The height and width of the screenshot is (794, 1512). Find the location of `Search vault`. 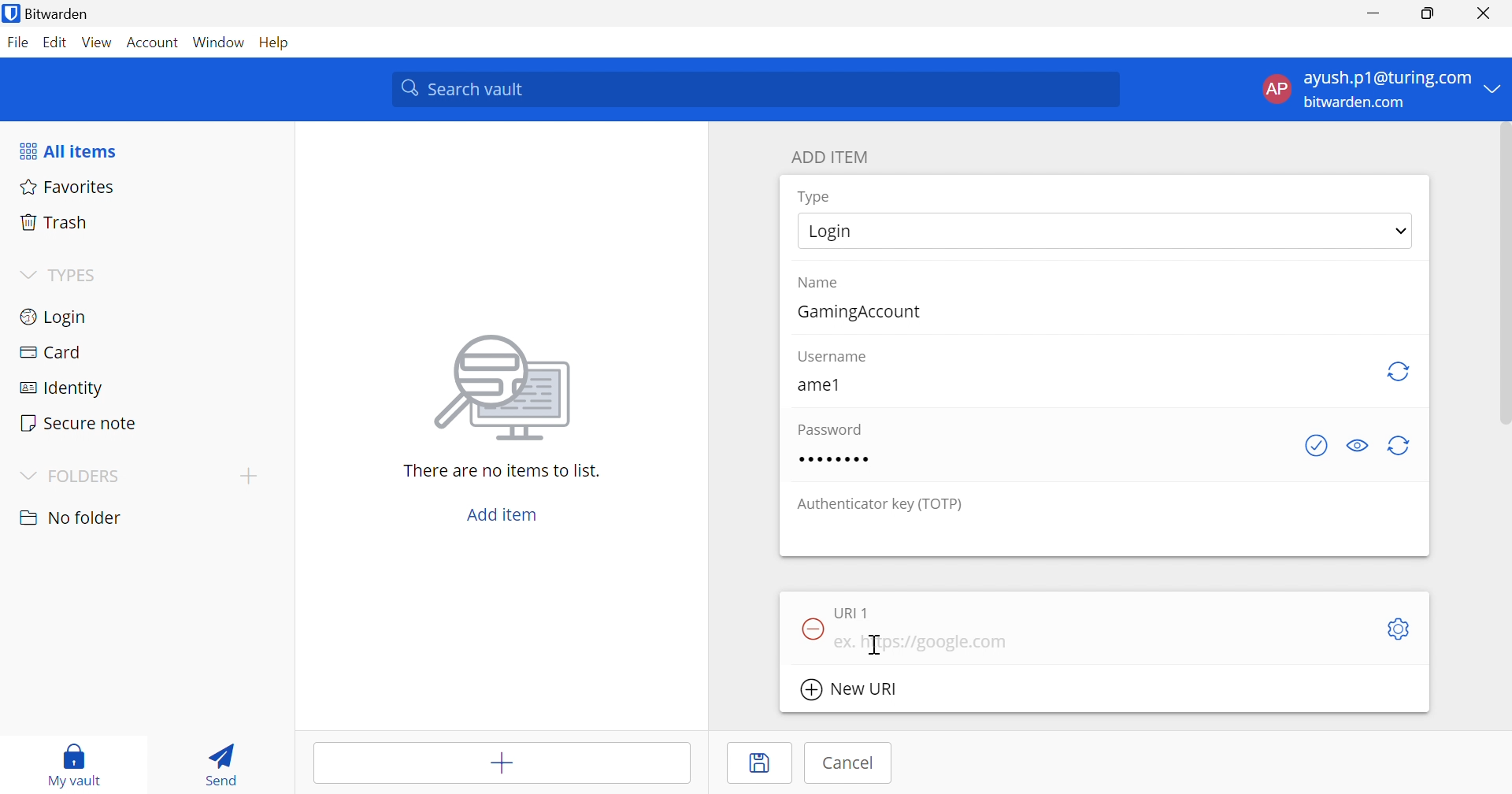

Search vault is located at coordinates (757, 89).